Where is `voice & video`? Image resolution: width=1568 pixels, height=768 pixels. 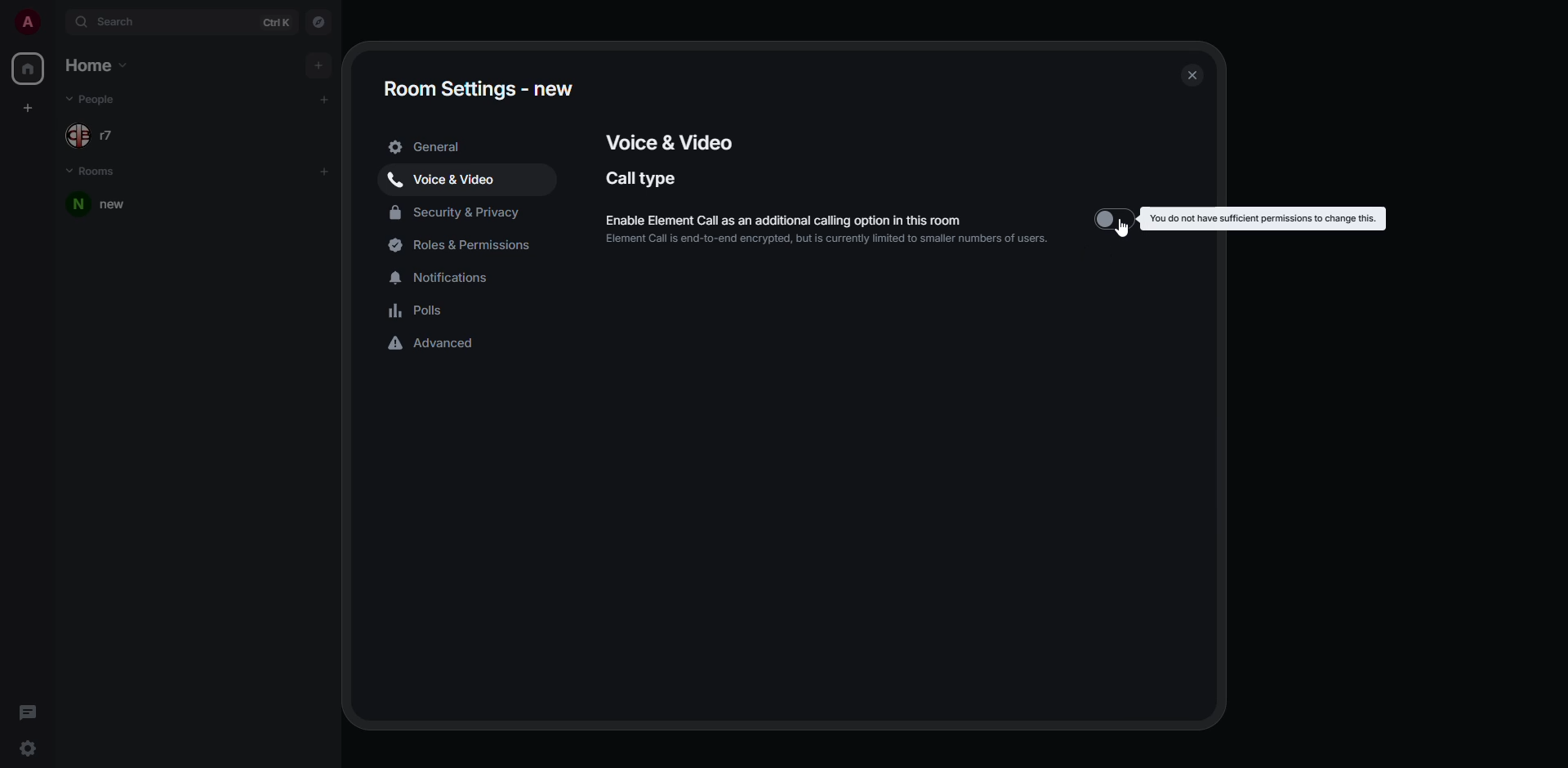
voice & video is located at coordinates (446, 177).